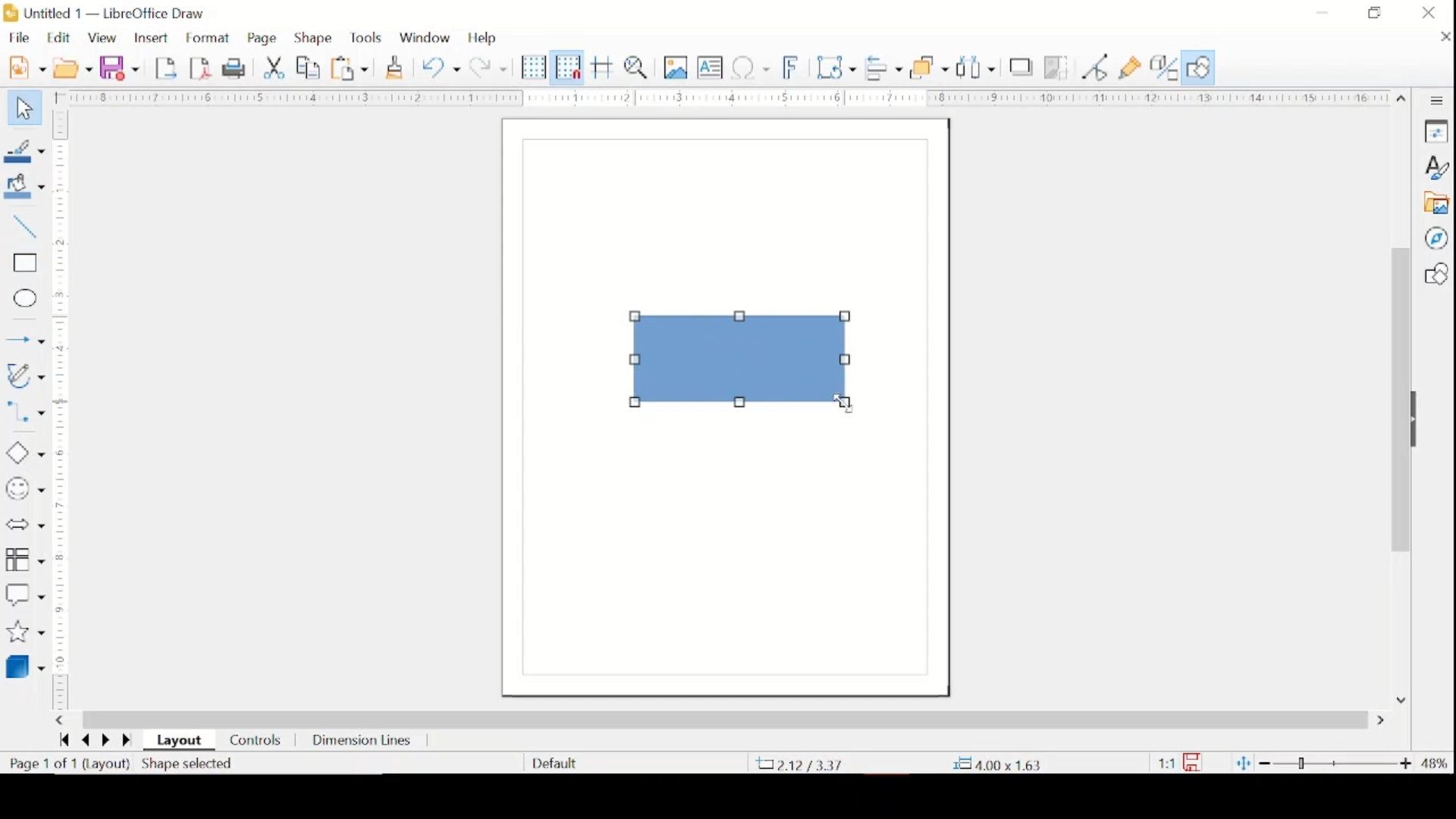 This screenshot has height=819, width=1456. What do you see at coordinates (264, 39) in the screenshot?
I see `page` at bounding box center [264, 39].